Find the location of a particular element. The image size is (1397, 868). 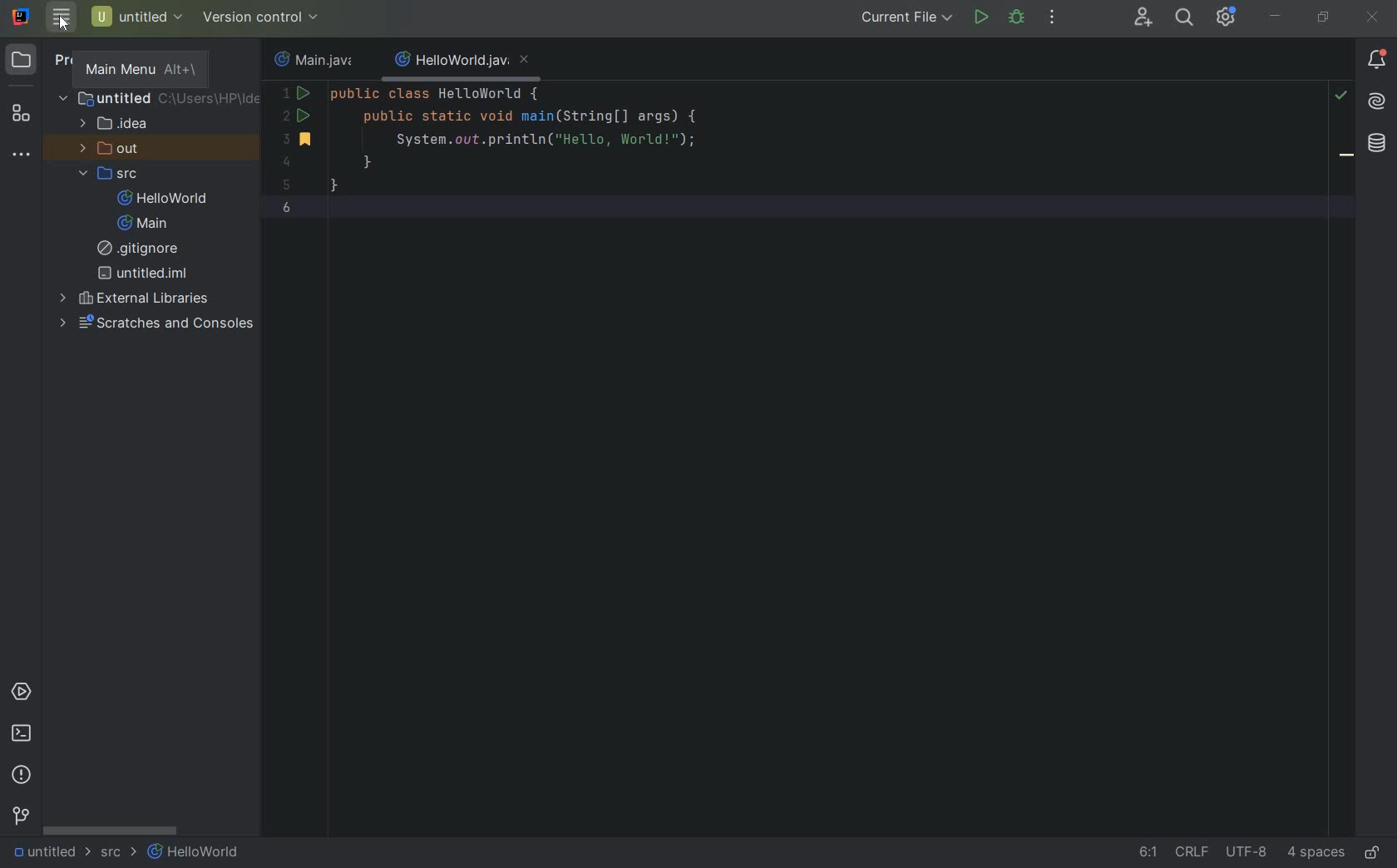

filename is located at coordinates (318, 60).